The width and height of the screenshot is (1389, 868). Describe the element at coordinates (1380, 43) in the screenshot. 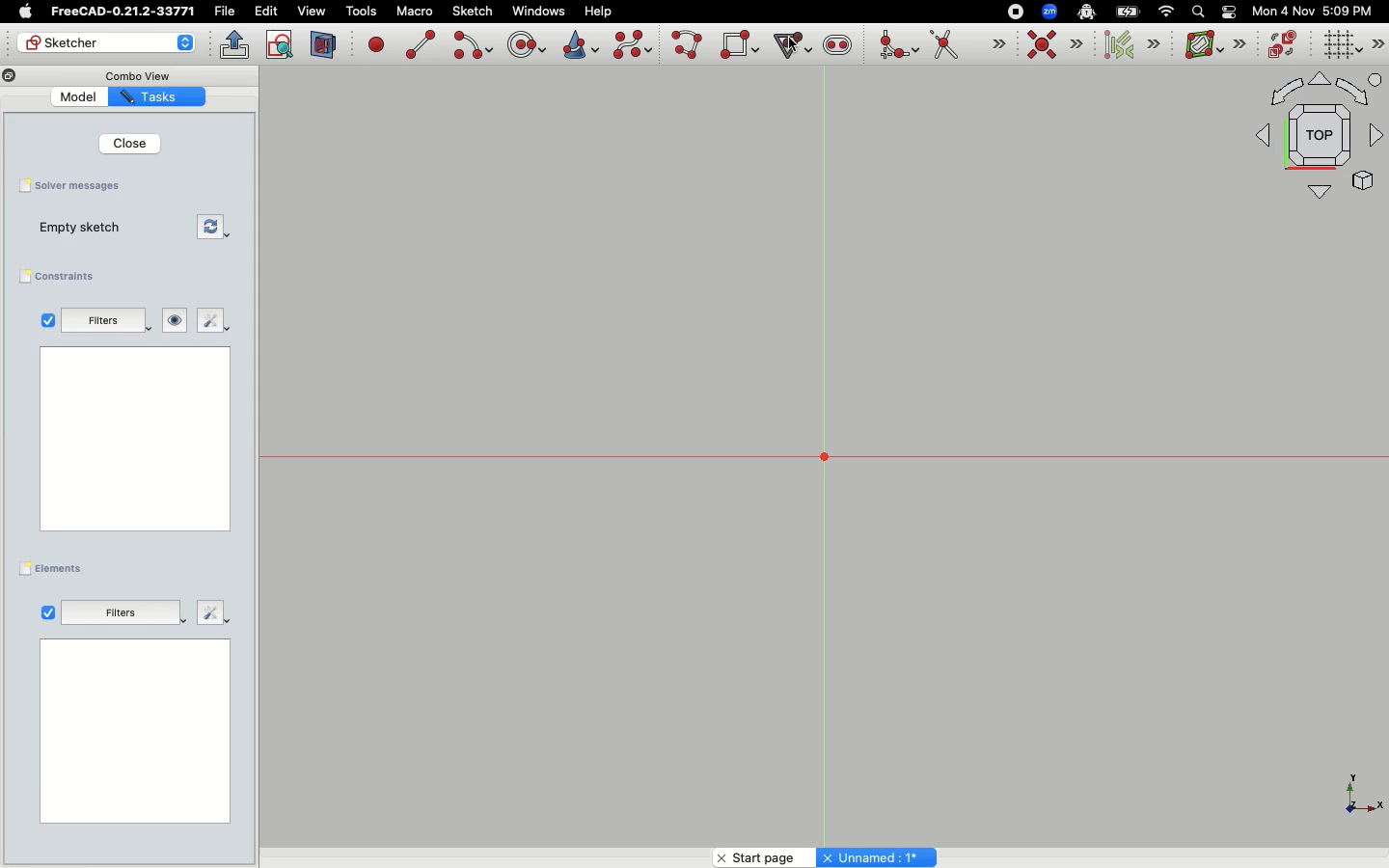

I see `Sketch editor tools` at that location.